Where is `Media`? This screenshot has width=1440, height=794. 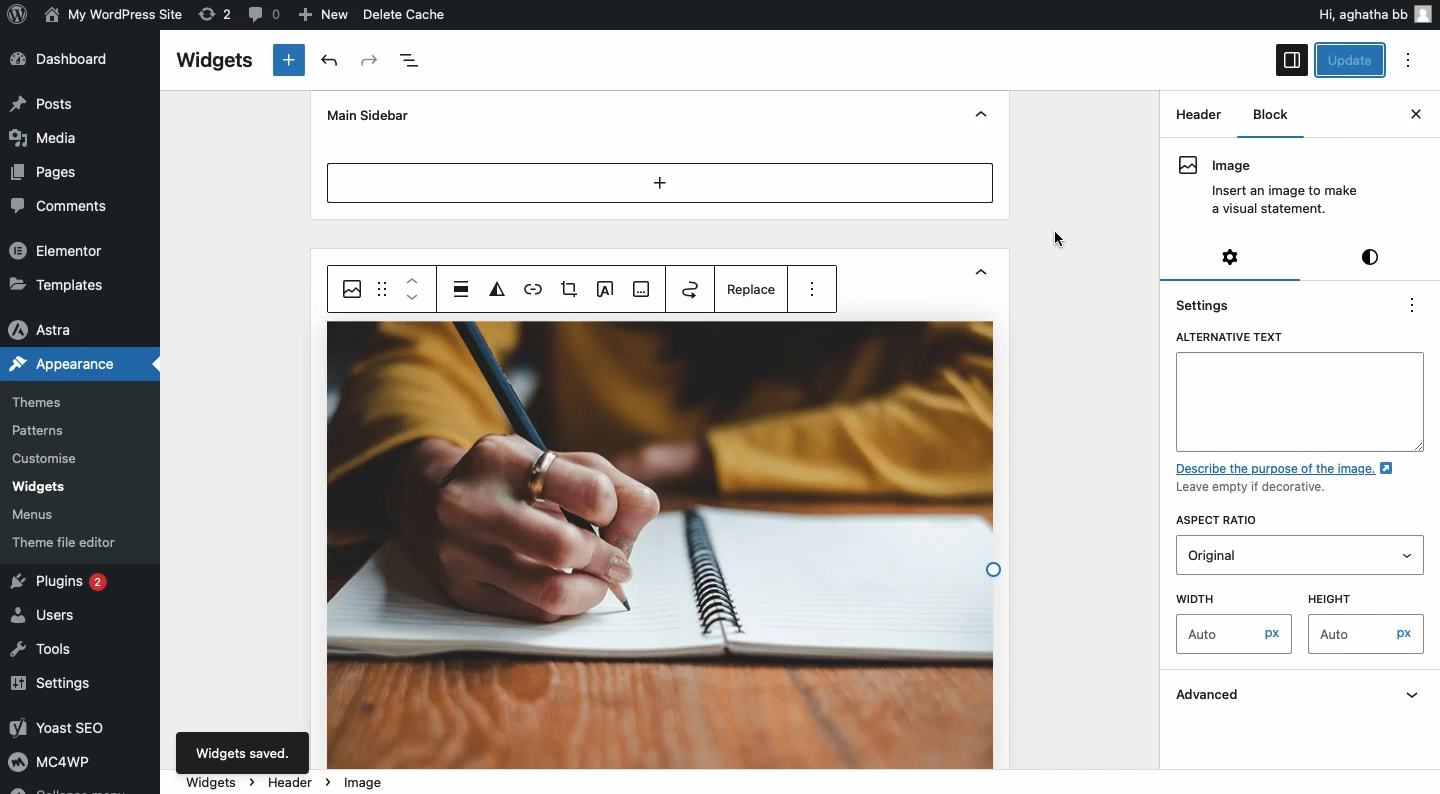
Media is located at coordinates (46, 136).